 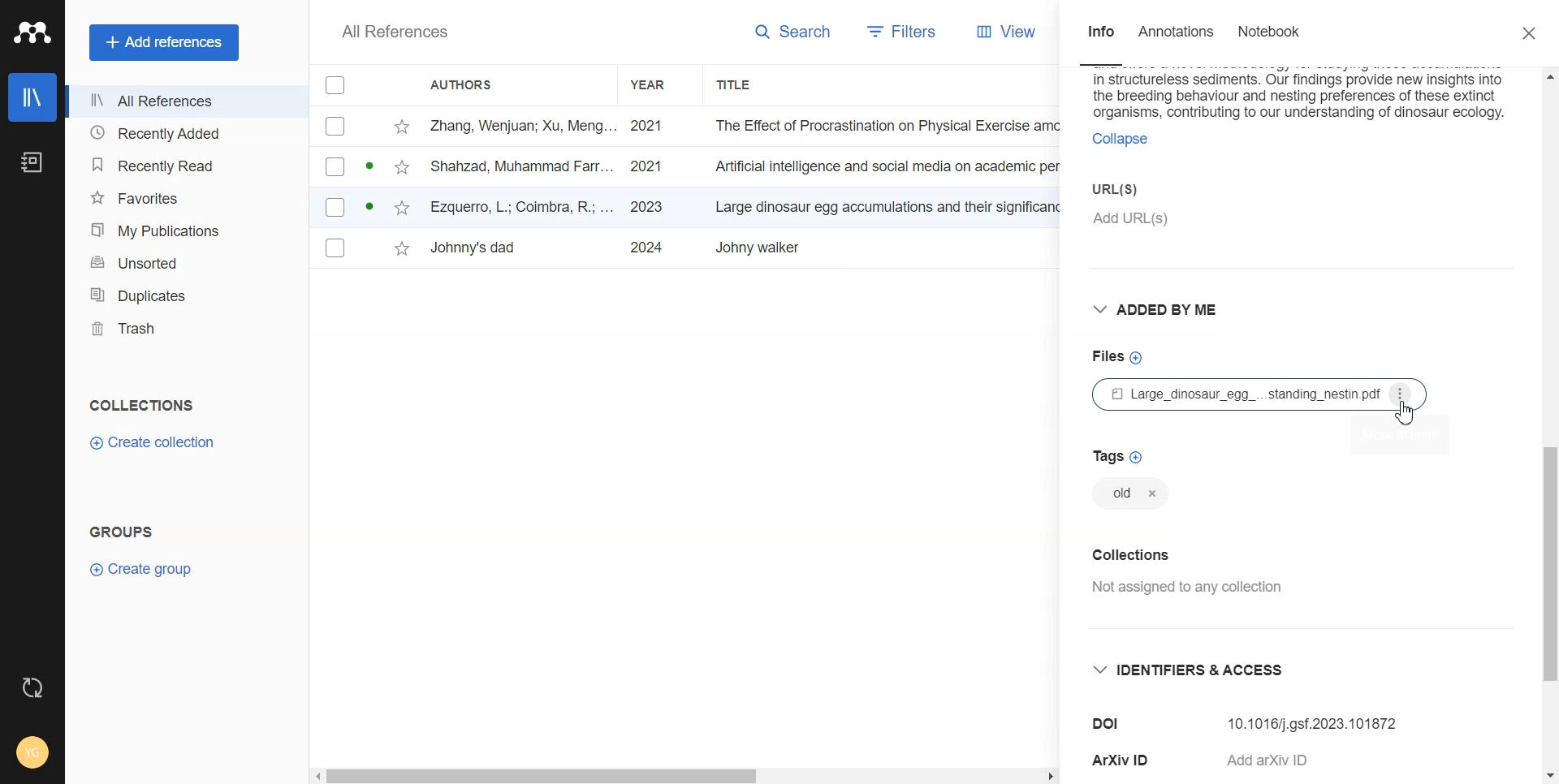 I want to click on unread, so click(x=368, y=166).